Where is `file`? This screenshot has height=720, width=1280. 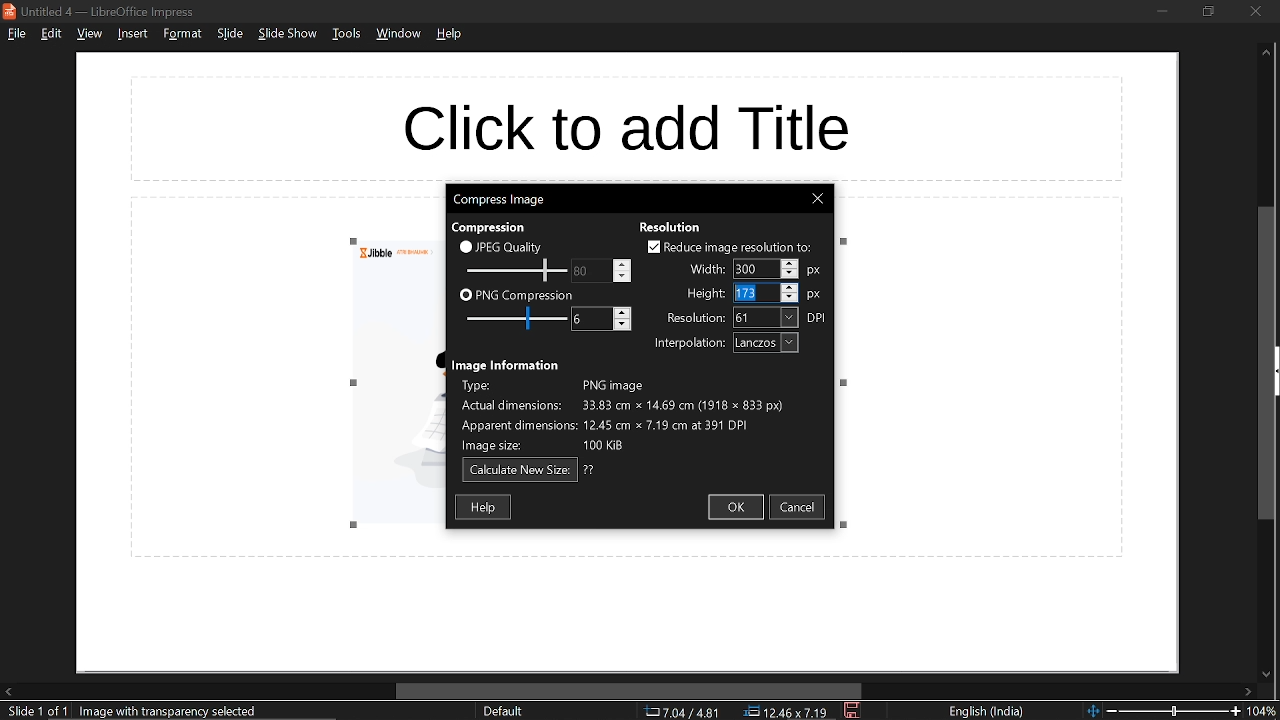
file is located at coordinates (16, 35).